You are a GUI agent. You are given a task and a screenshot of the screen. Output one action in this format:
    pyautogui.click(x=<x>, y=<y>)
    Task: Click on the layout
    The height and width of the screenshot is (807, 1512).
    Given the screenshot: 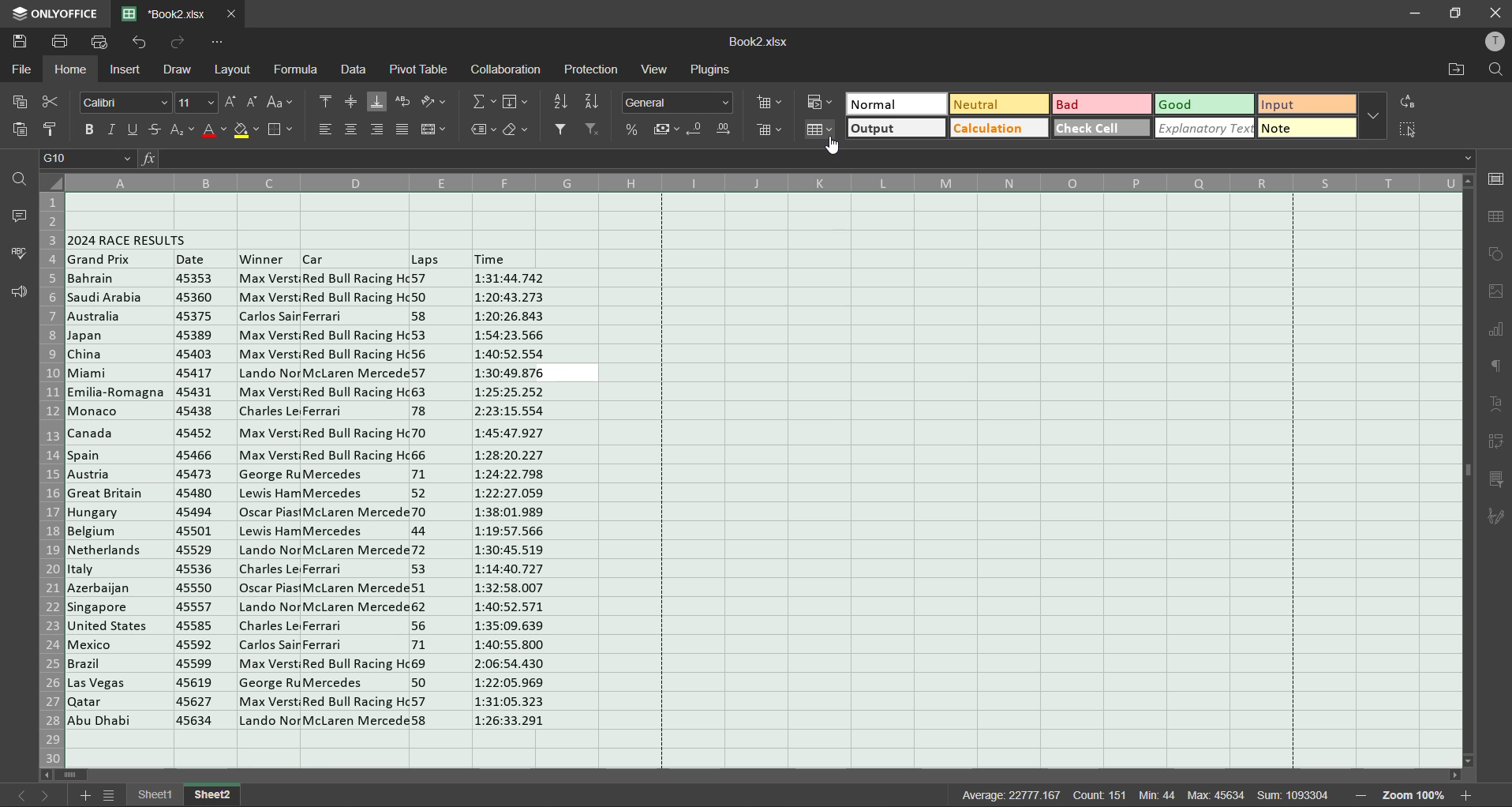 What is the action you would take?
    pyautogui.click(x=234, y=71)
    